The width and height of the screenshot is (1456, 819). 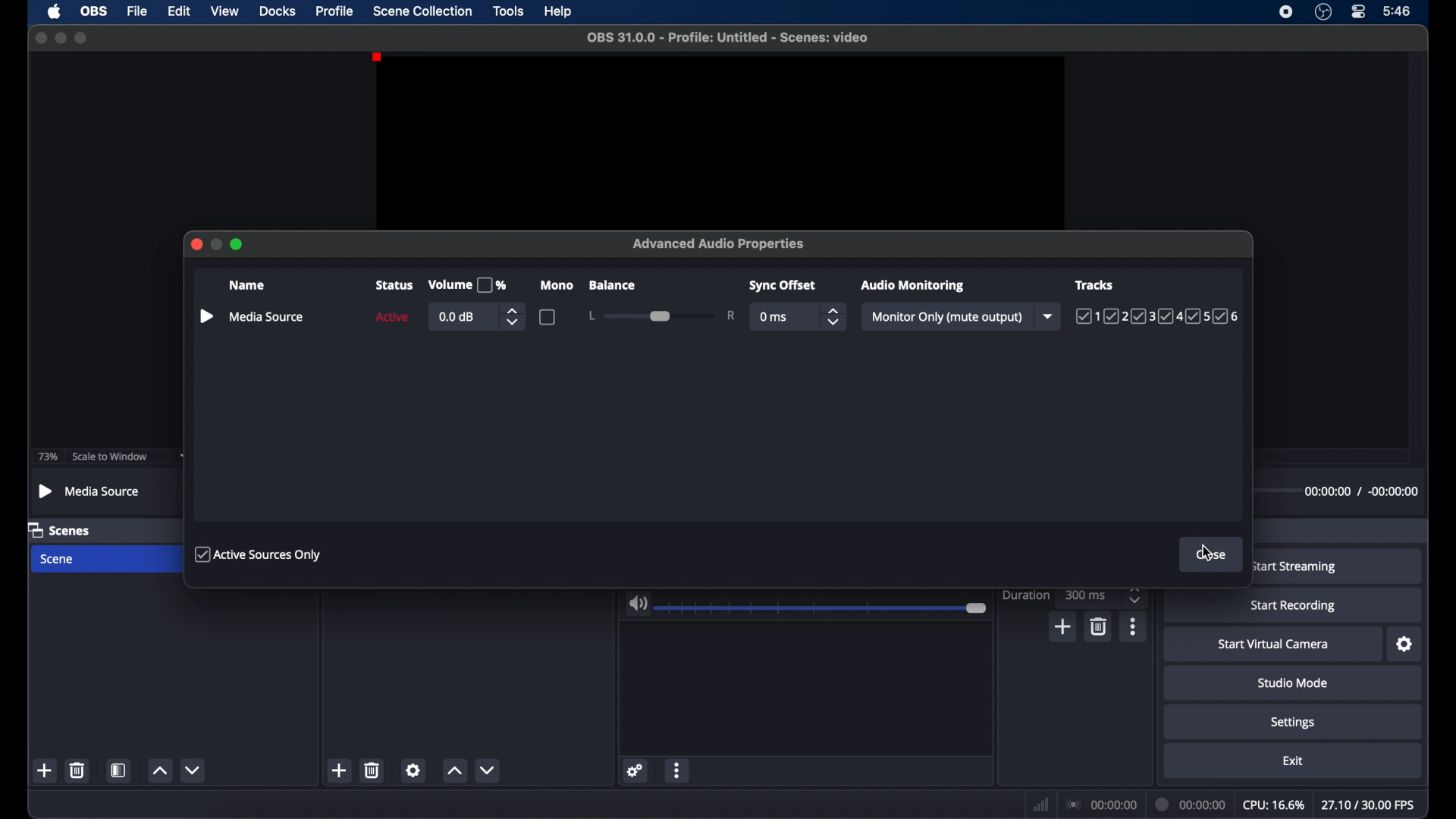 I want to click on 300 ms, so click(x=1087, y=595).